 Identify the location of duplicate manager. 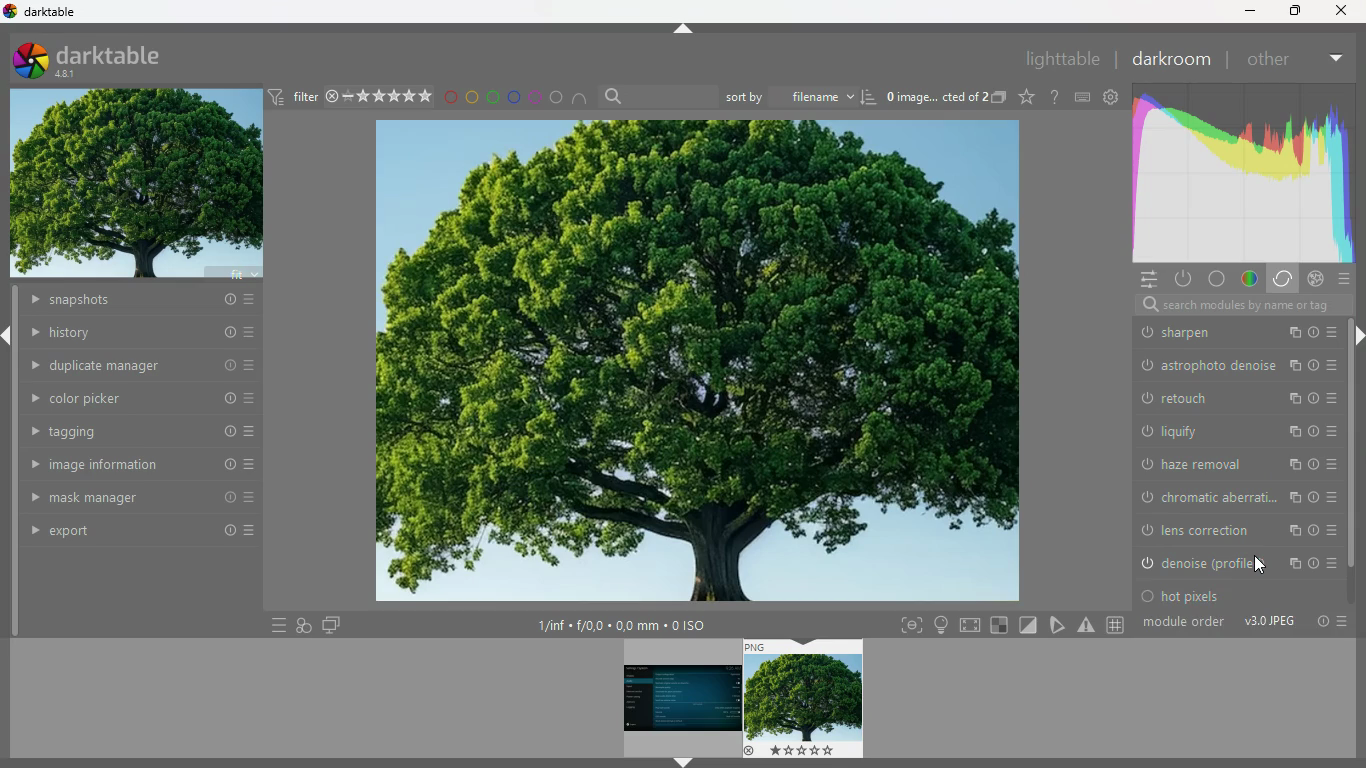
(147, 365).